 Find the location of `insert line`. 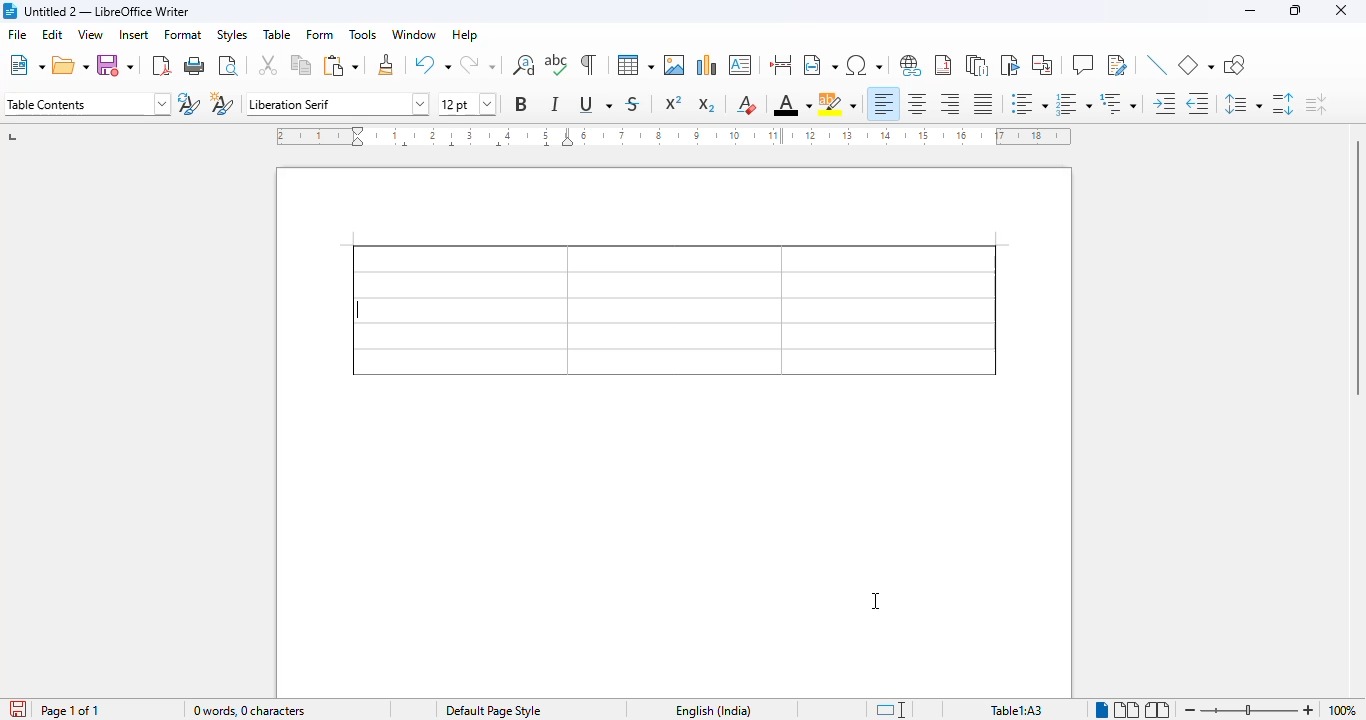

insert line is located at coordinates (1158, 64).